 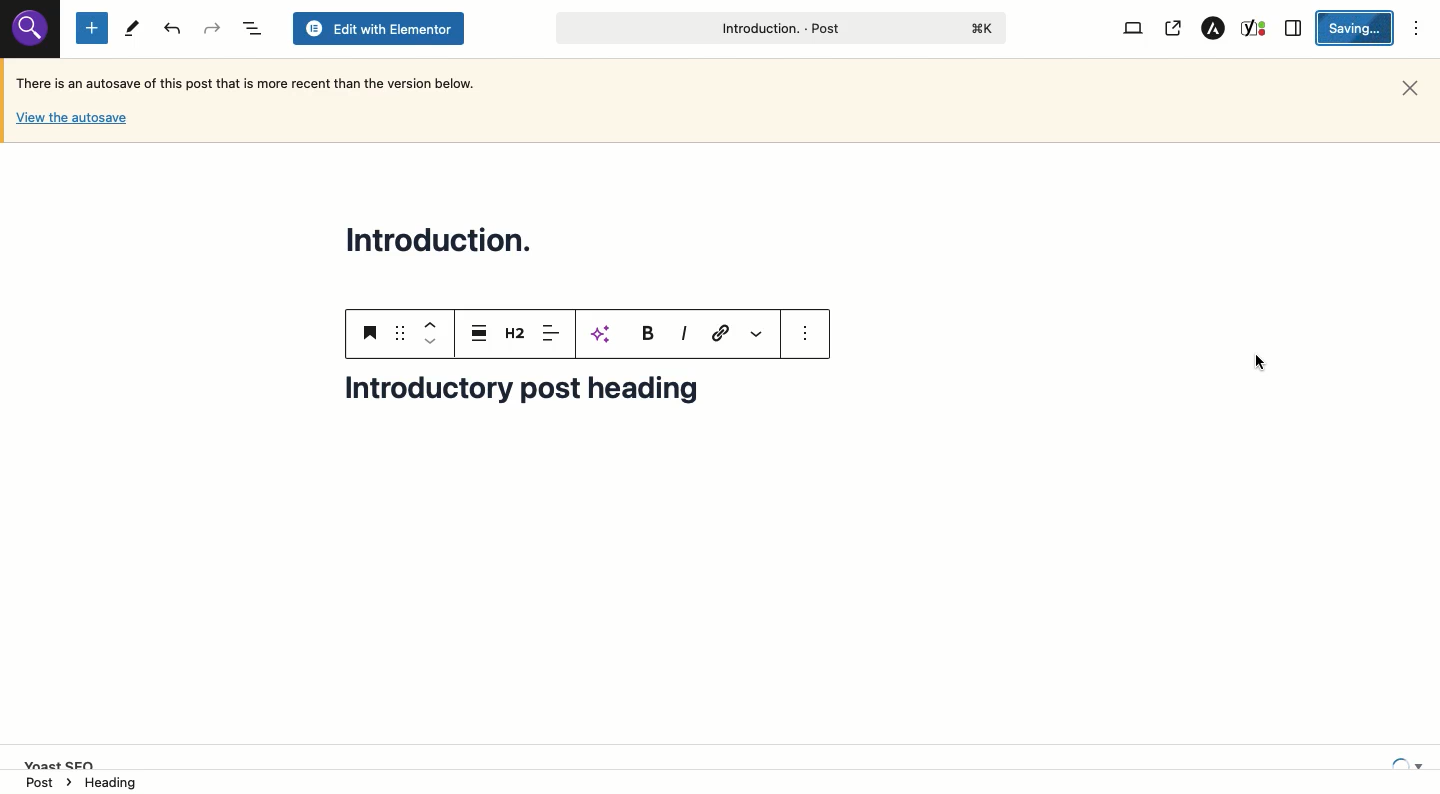 I want to click on Press enter, so click(x=1267, y=366).